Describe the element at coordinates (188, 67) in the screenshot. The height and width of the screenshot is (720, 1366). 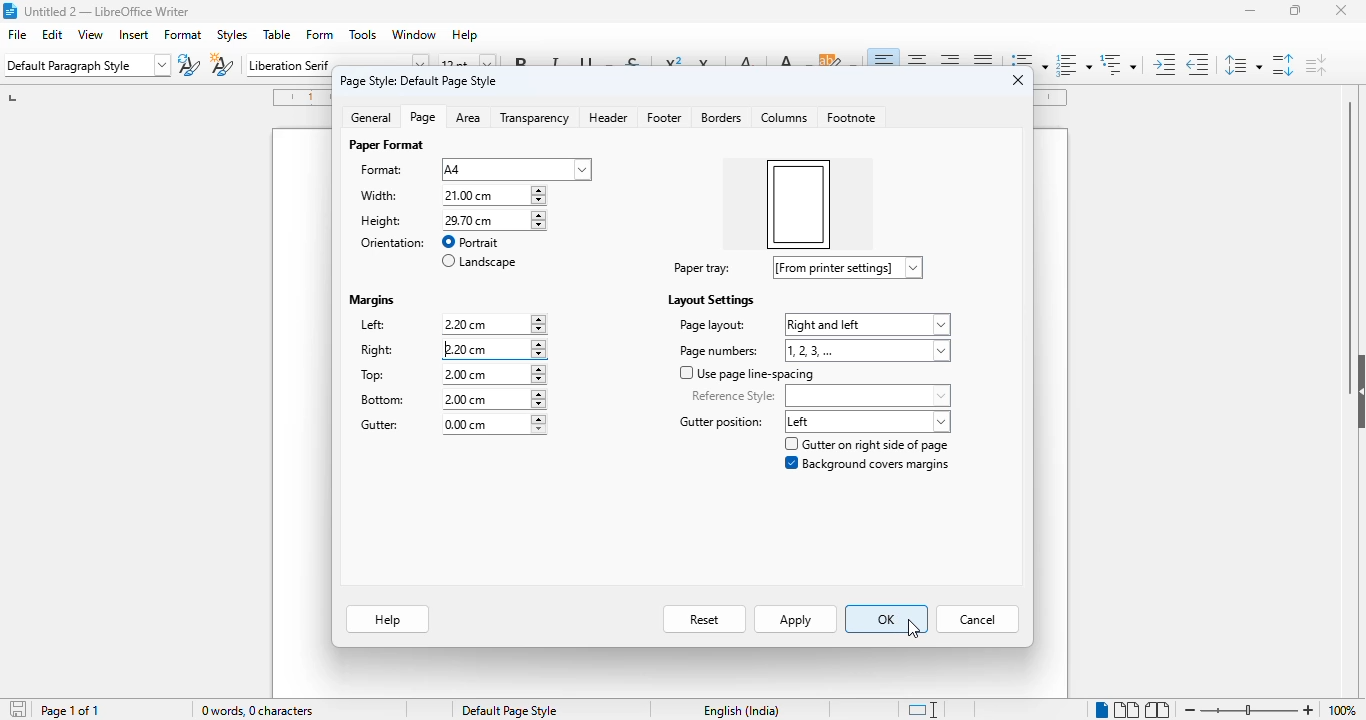
I see `update paragraph style` at that location.